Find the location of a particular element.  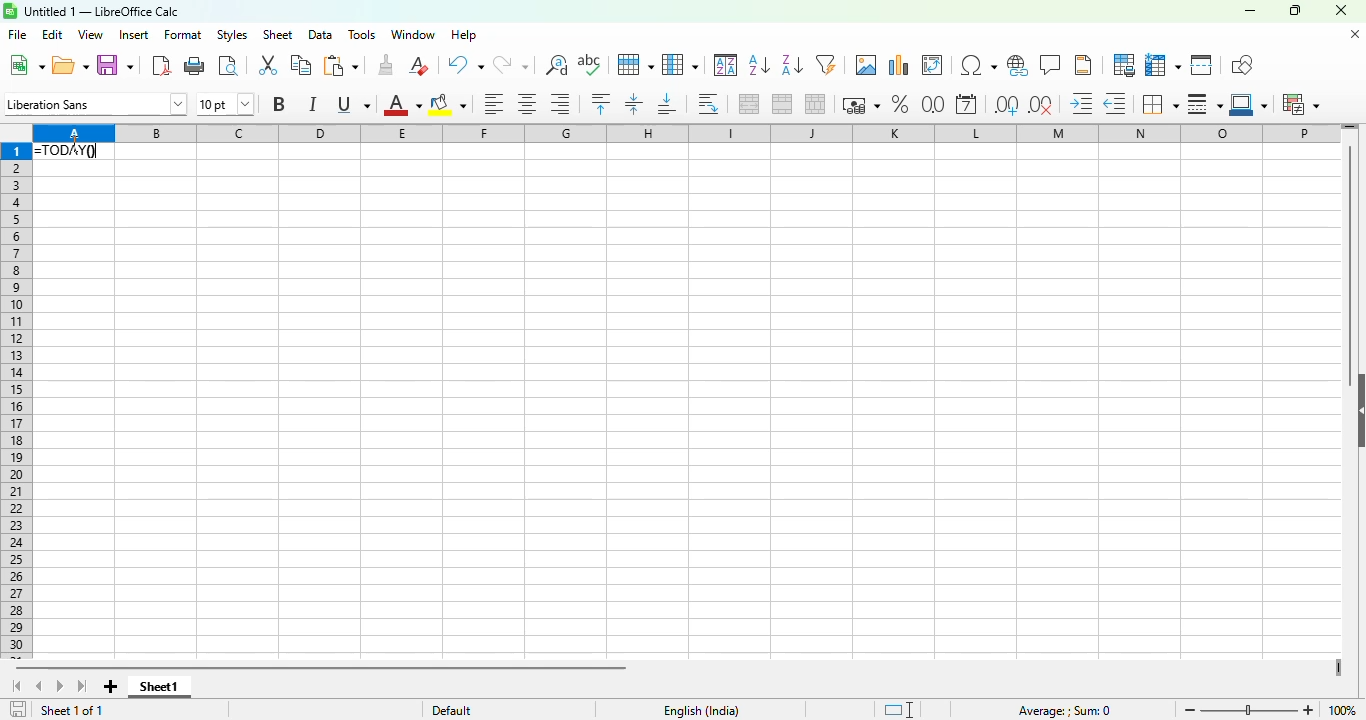

view is located at coordinates (91, 34).